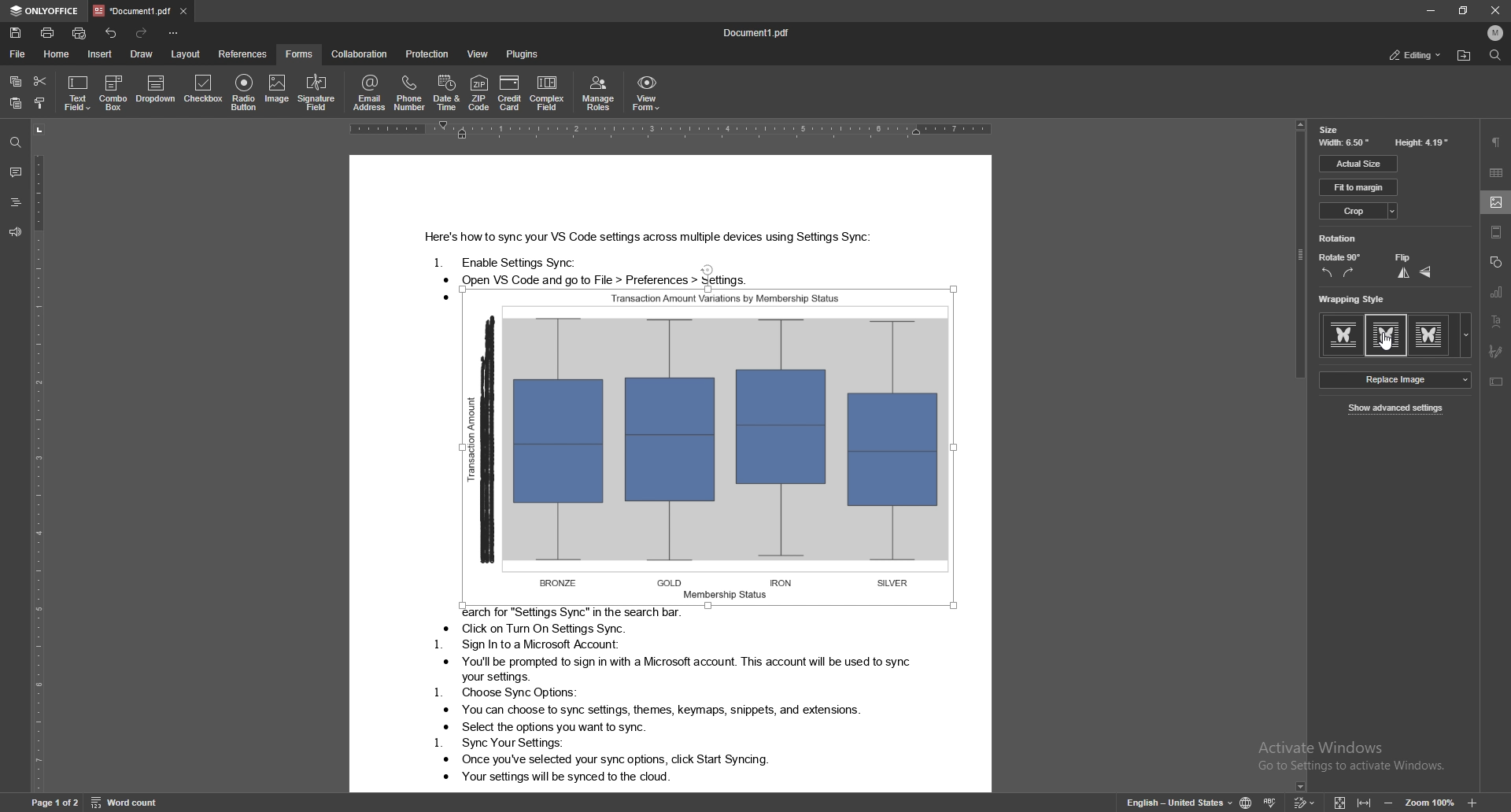 The height and width of the screenshot is (812, 1511). I want to click on forms, so click(299, 54).